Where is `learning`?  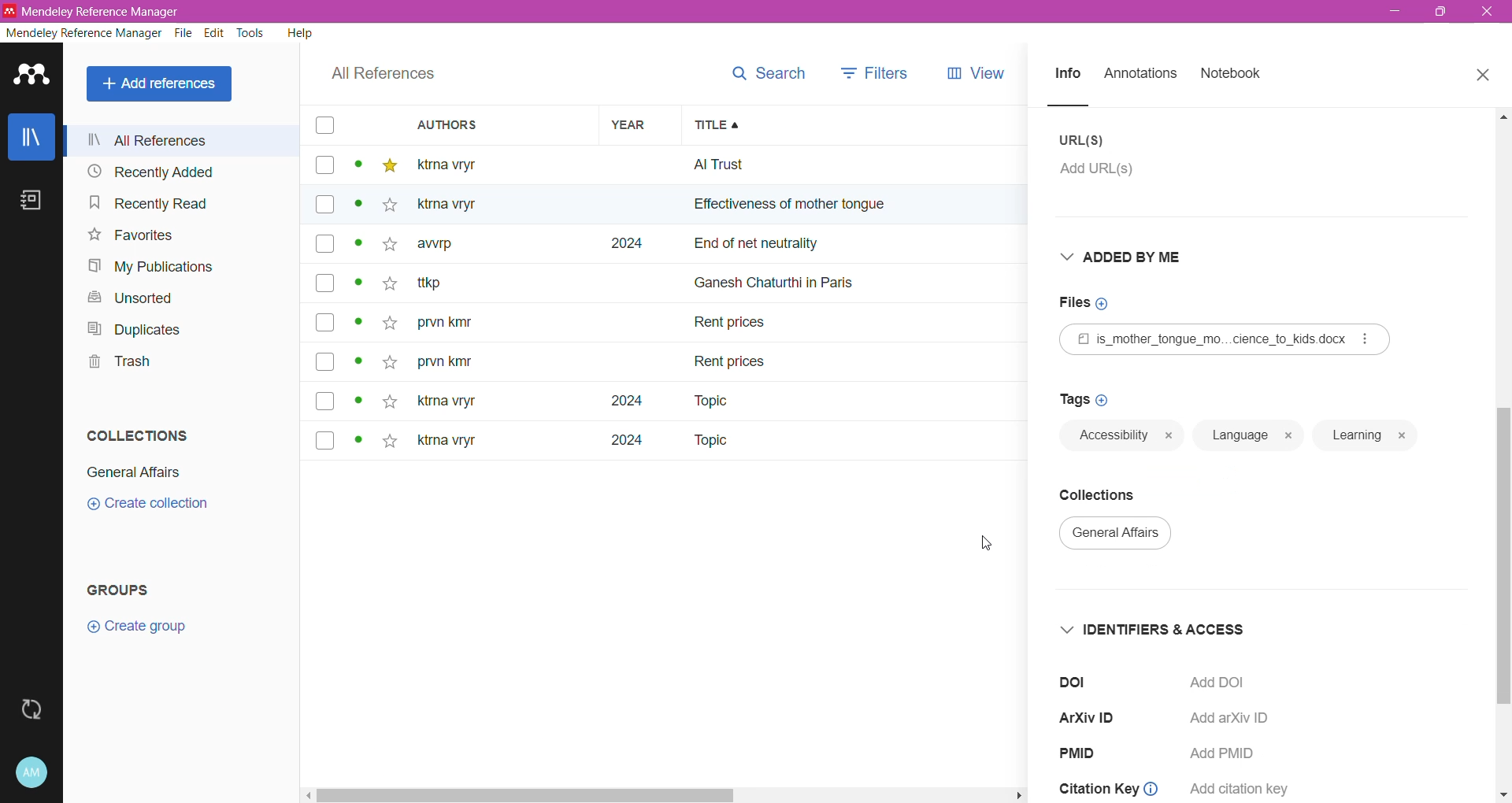
learning is located at coordinates (1348, 432).